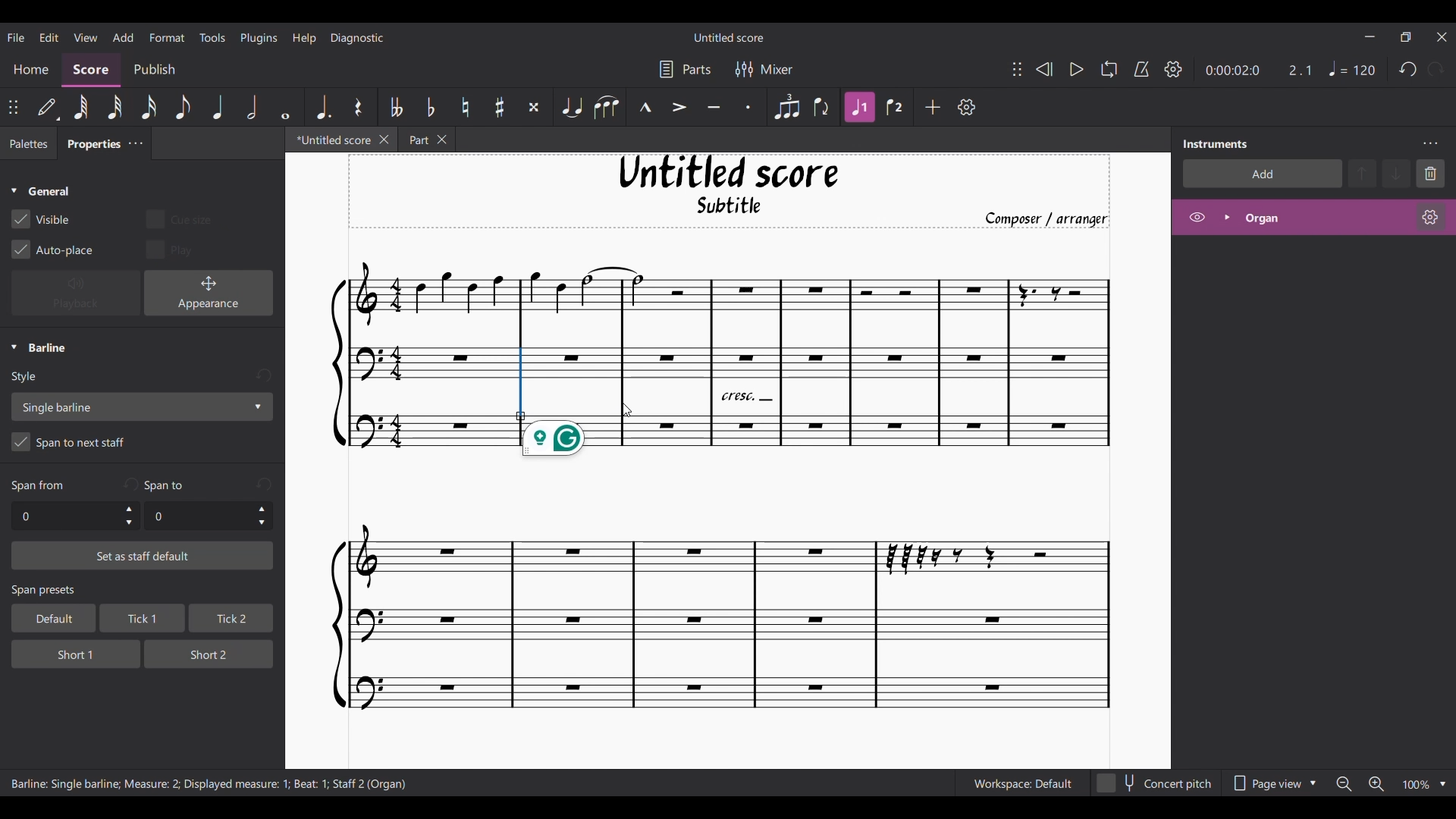  Describe the element at coordinates (230, 619) in the screenshot. I see `tick 2` at that location.